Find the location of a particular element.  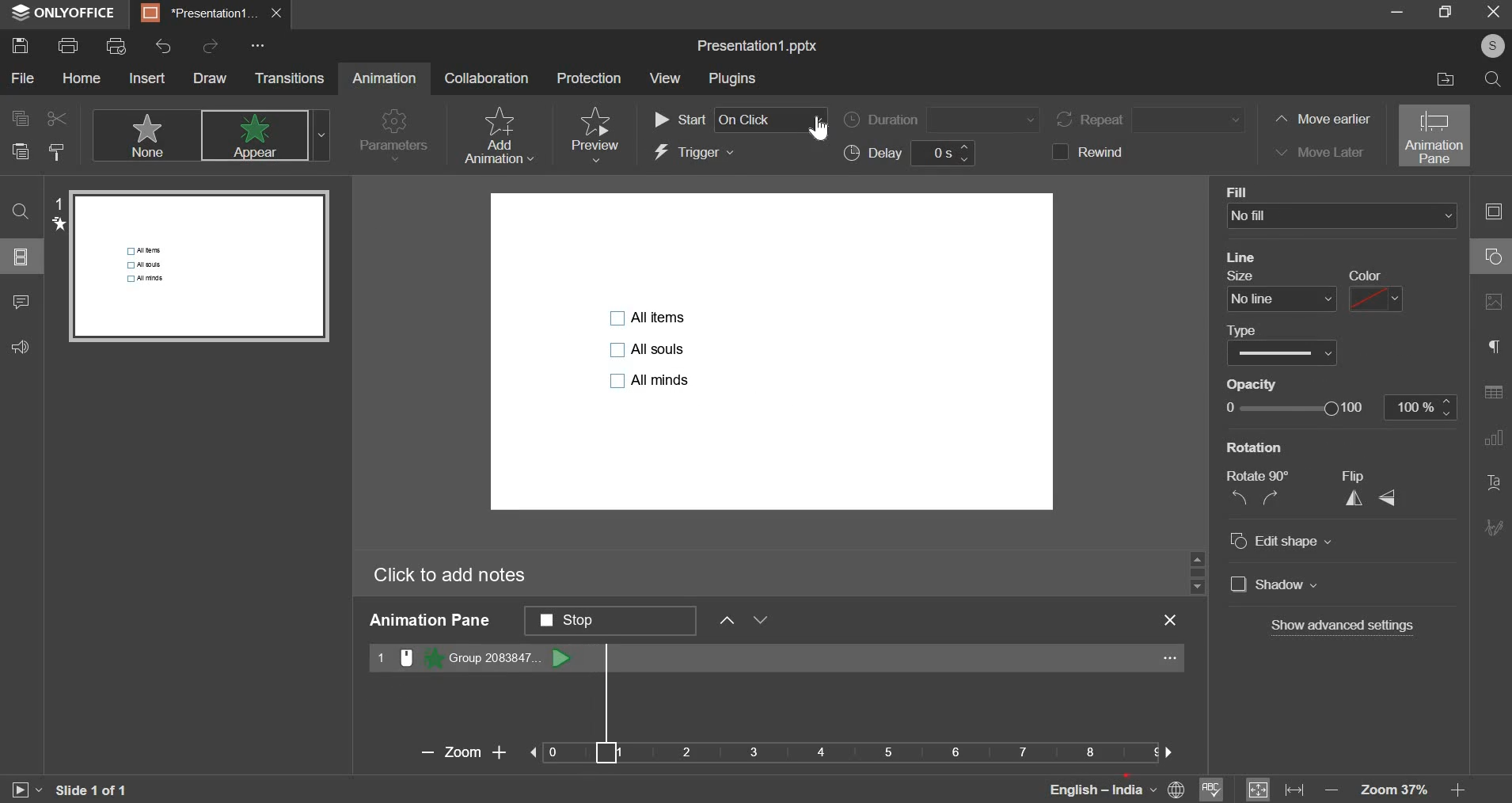

insert is located at coordinates (146, 78).